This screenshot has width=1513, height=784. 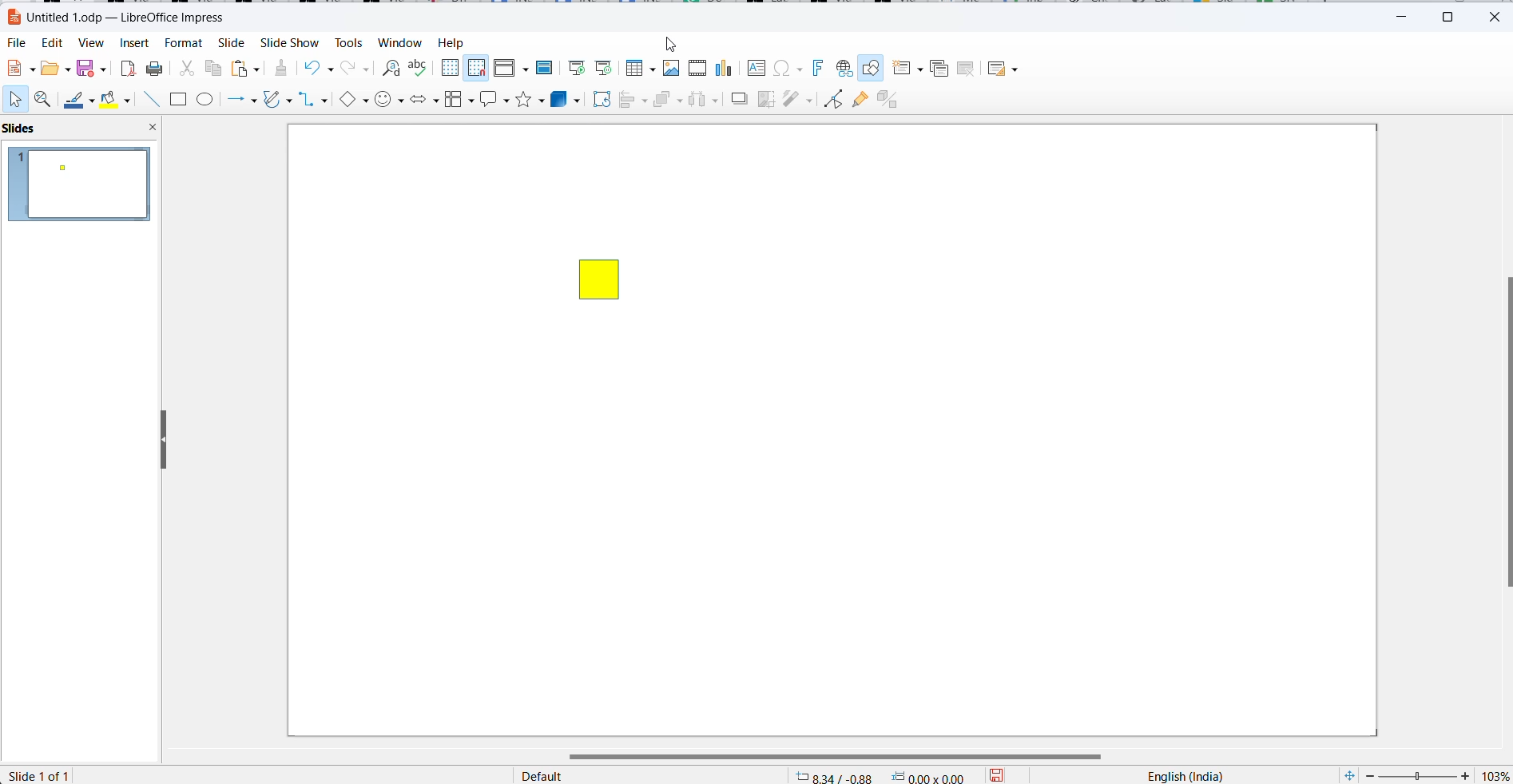 What do you see at coordinates (36, 129) in the screenshot?
I see `slide pane` at bounding box center [36, 129].